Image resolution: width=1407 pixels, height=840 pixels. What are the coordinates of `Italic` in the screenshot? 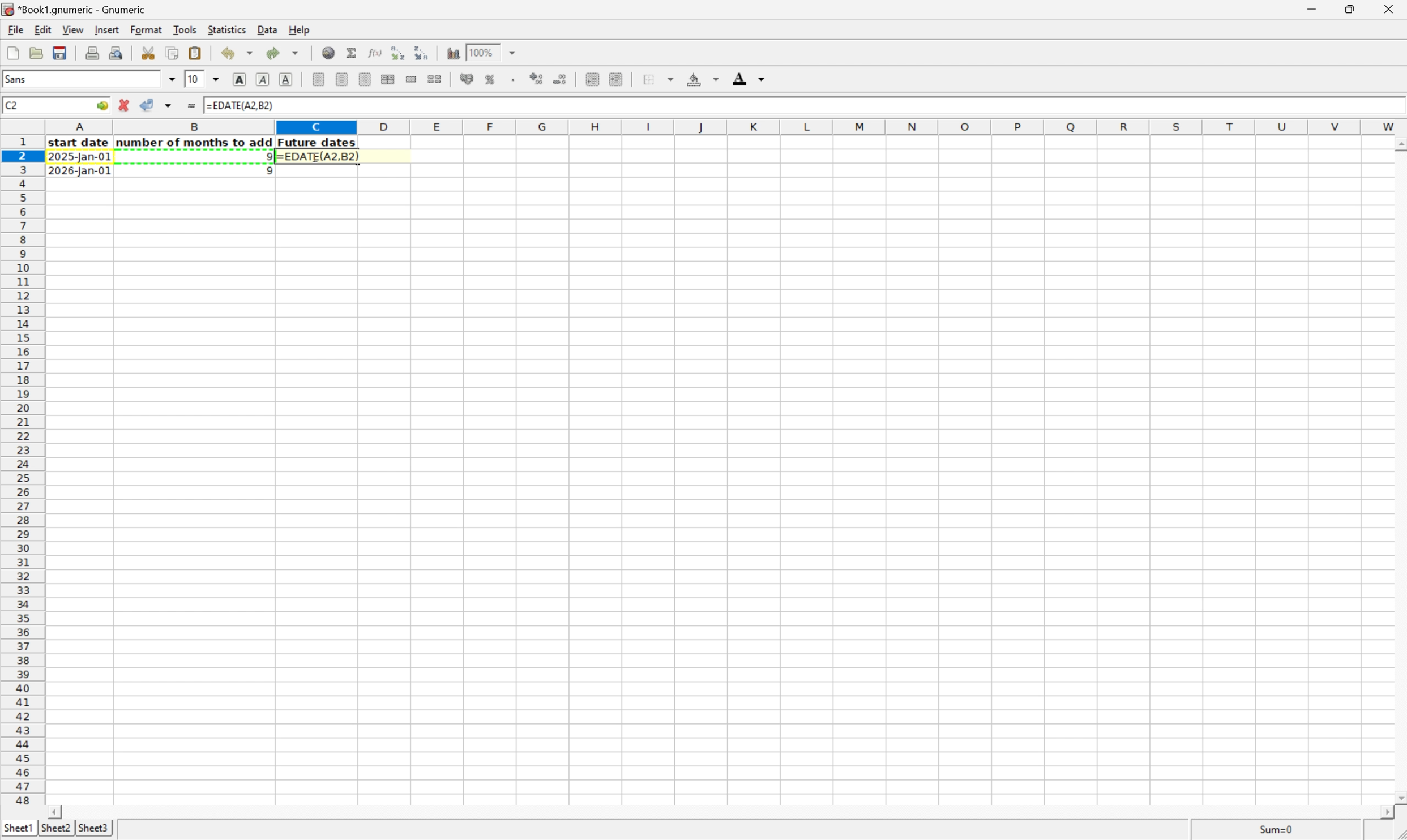 It's located at (263, 79).